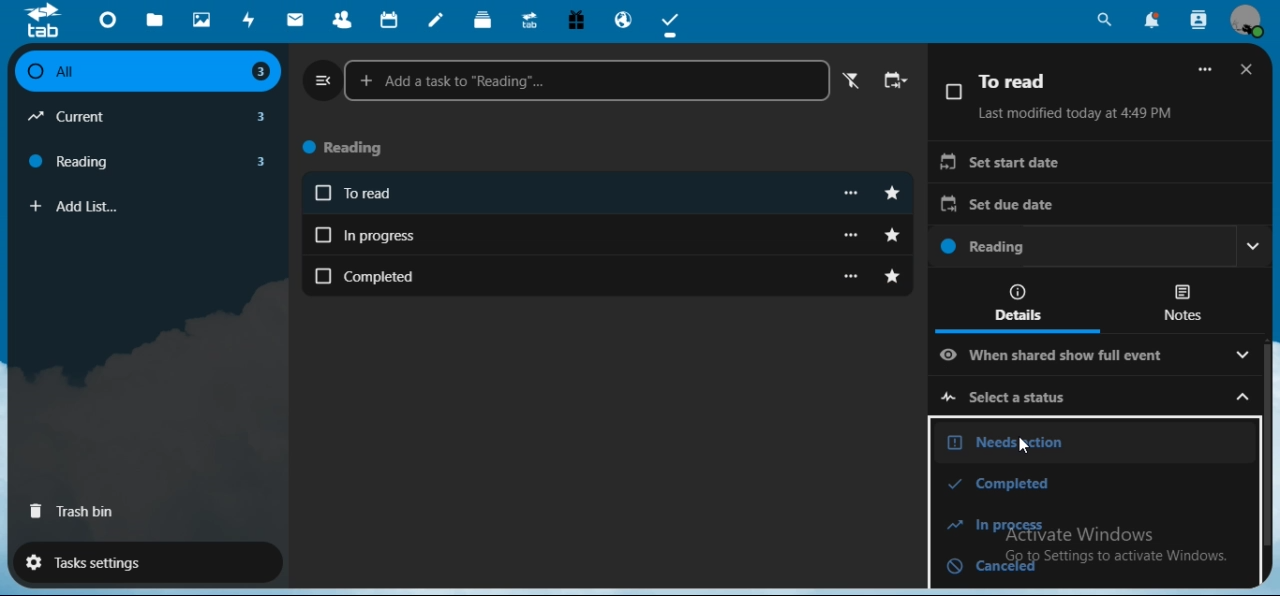 The image size is (1280, 596). I want to click on activity, so click(246, 21).